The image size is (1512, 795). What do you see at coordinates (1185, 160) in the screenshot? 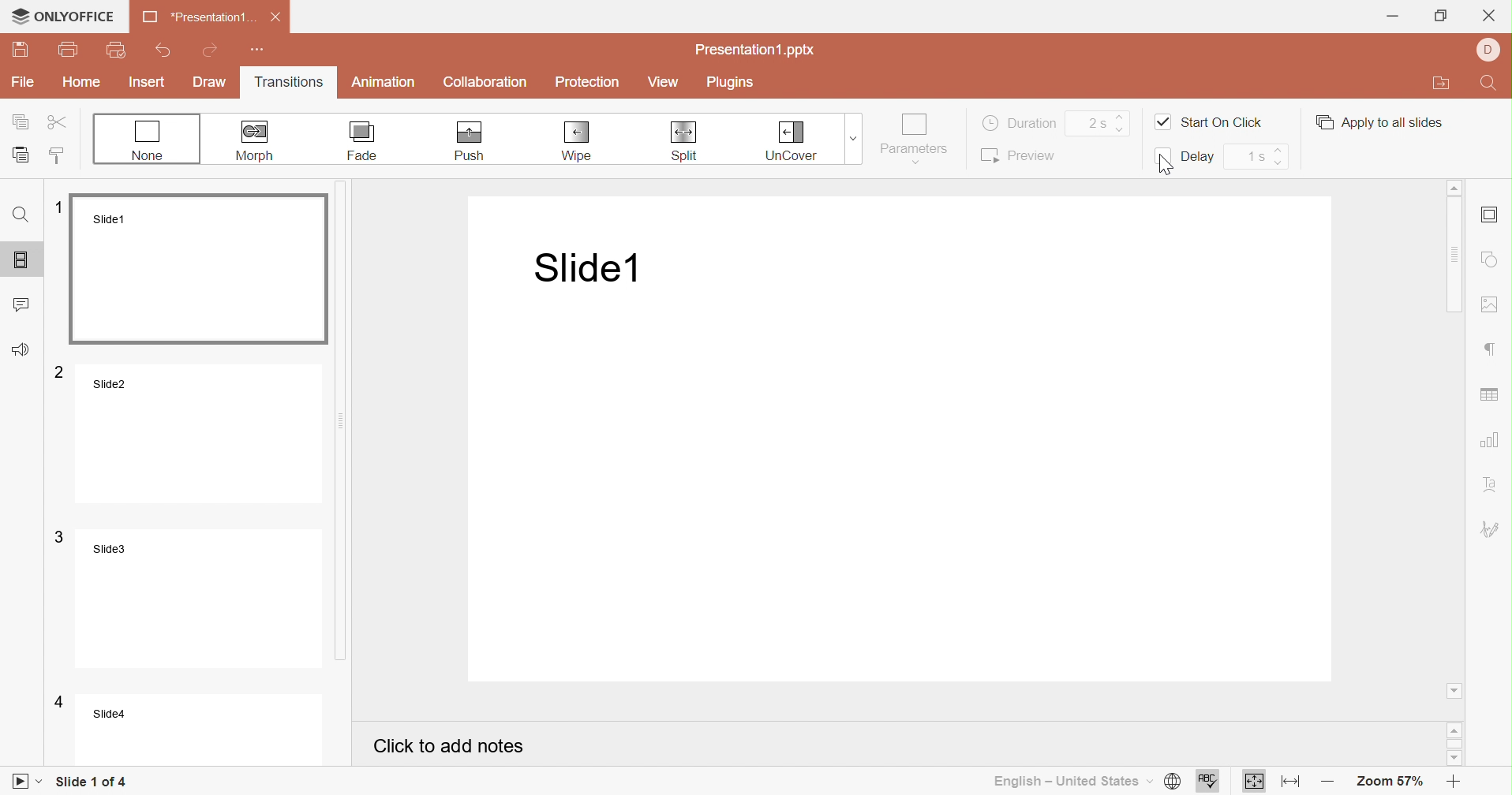
I see `Delay` at bounding box center [1185, 160].